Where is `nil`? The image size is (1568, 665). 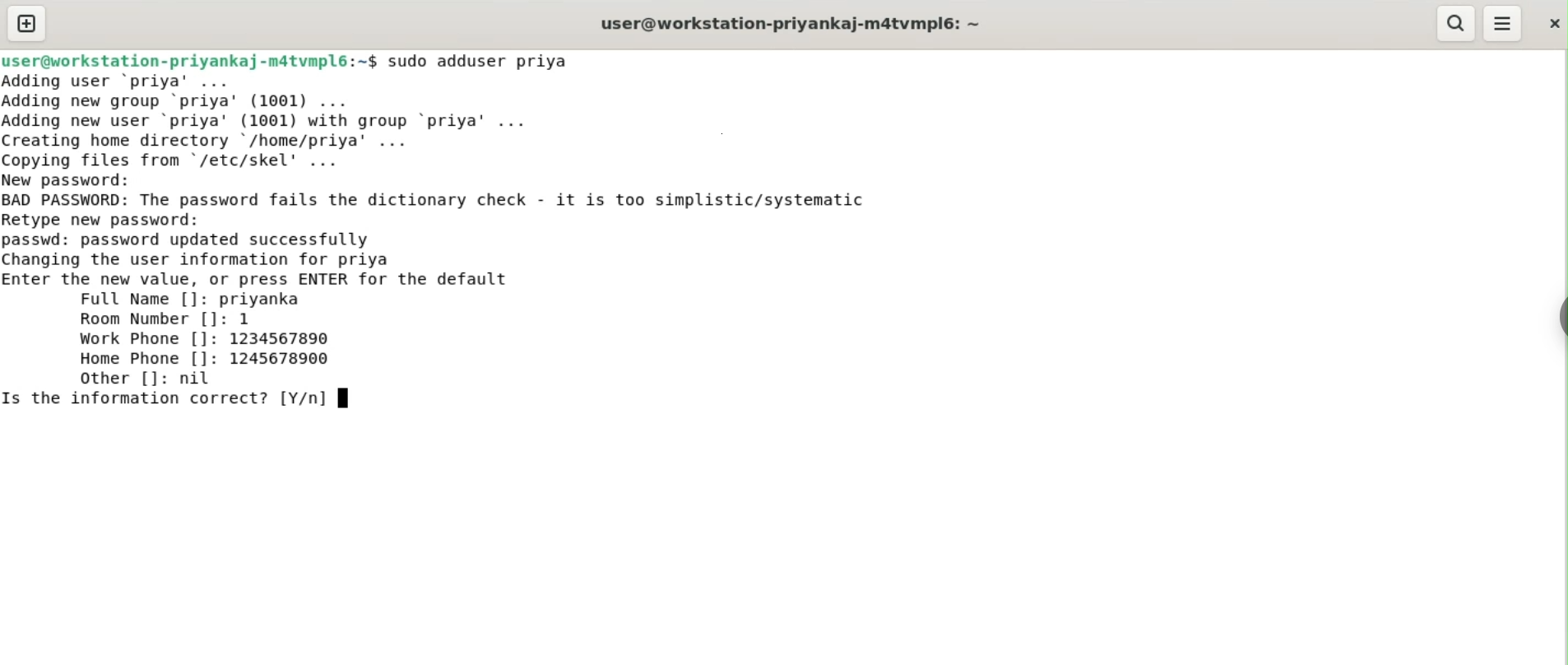 nil is located at coordinates (203, 379).